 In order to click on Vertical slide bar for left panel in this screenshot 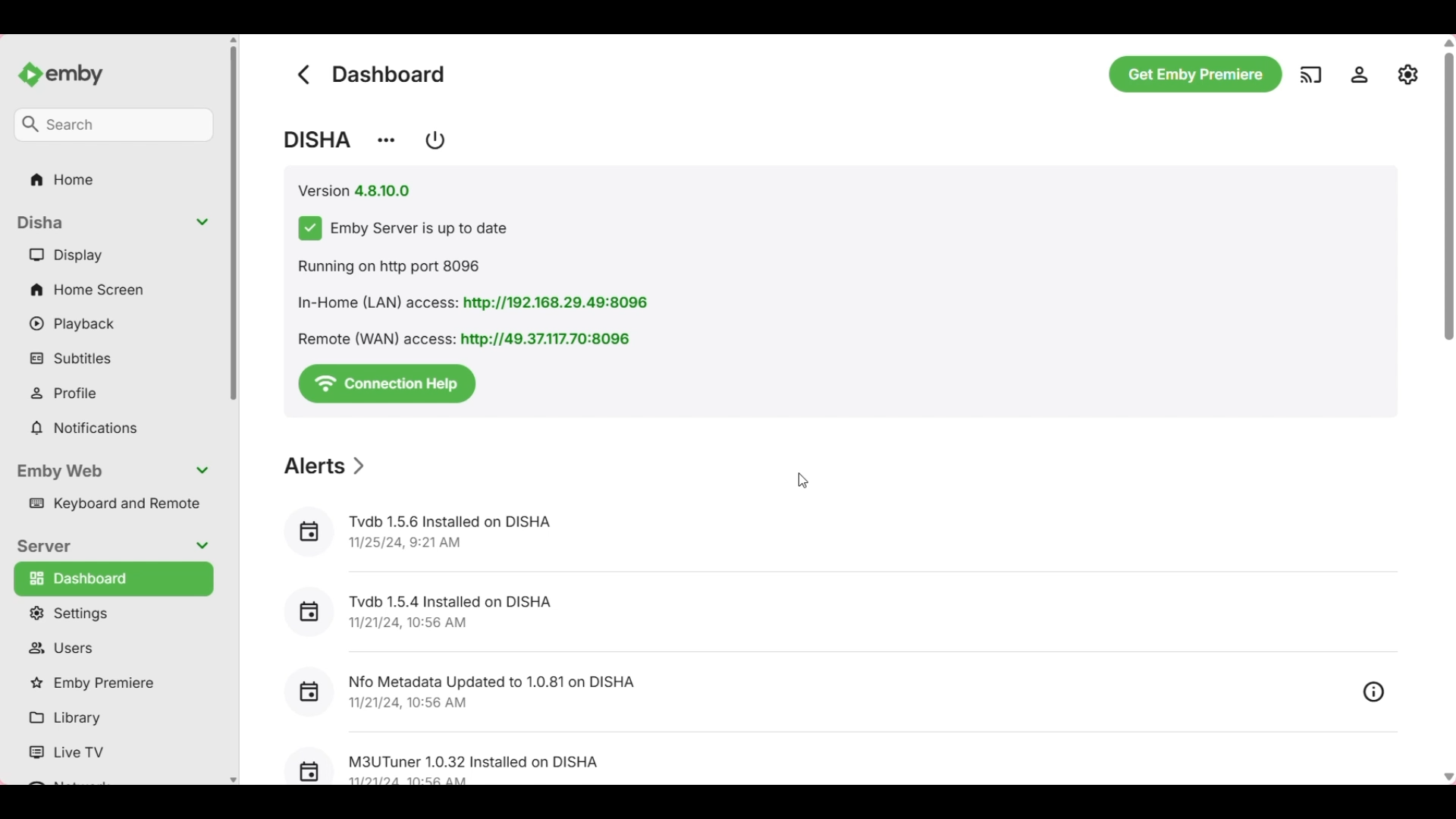, I will do `click(234, 224)`.